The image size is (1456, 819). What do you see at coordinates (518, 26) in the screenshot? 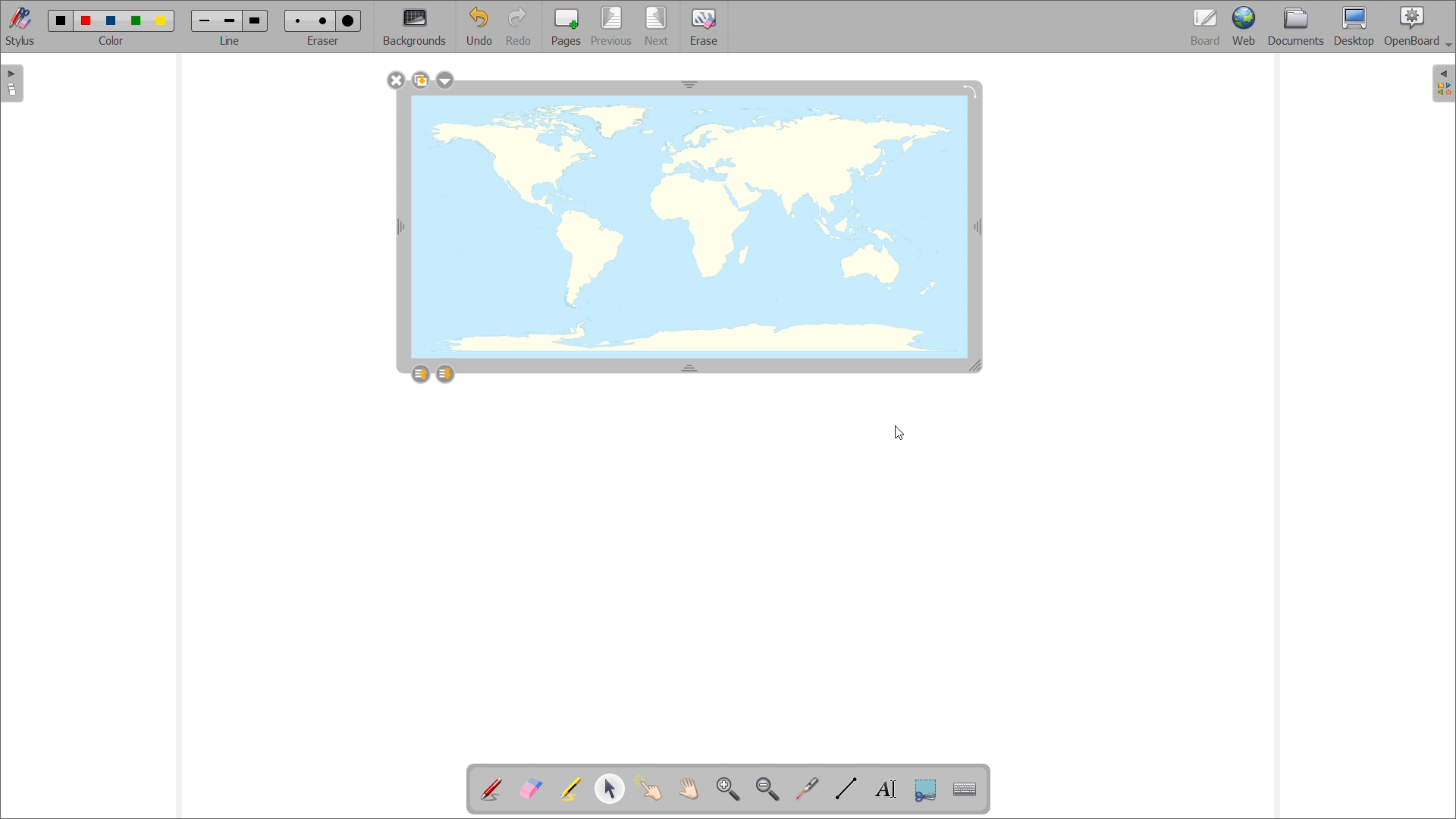
I see `redo` at bounding box center [518, 26].